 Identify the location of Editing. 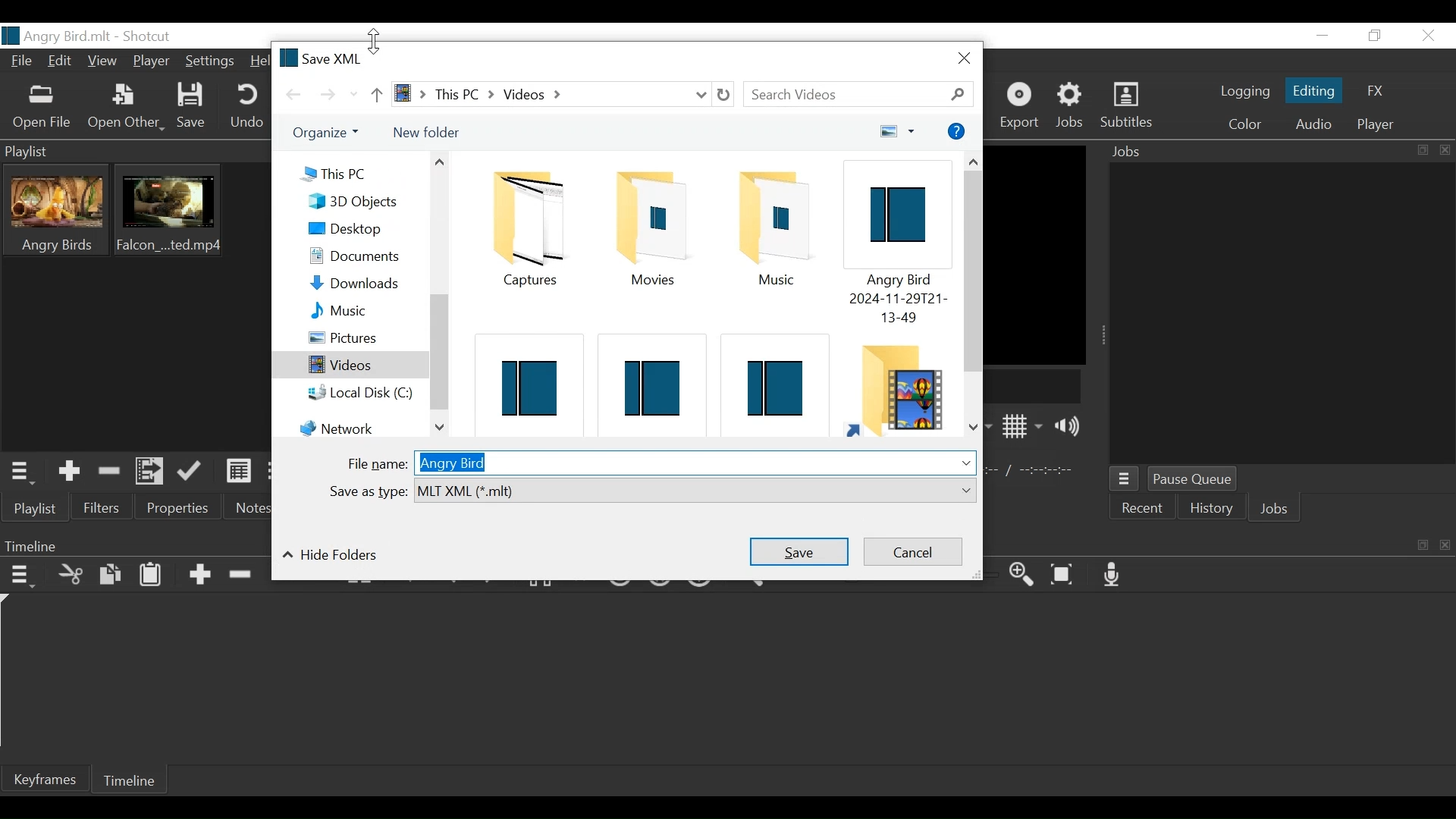
(1313, 93).